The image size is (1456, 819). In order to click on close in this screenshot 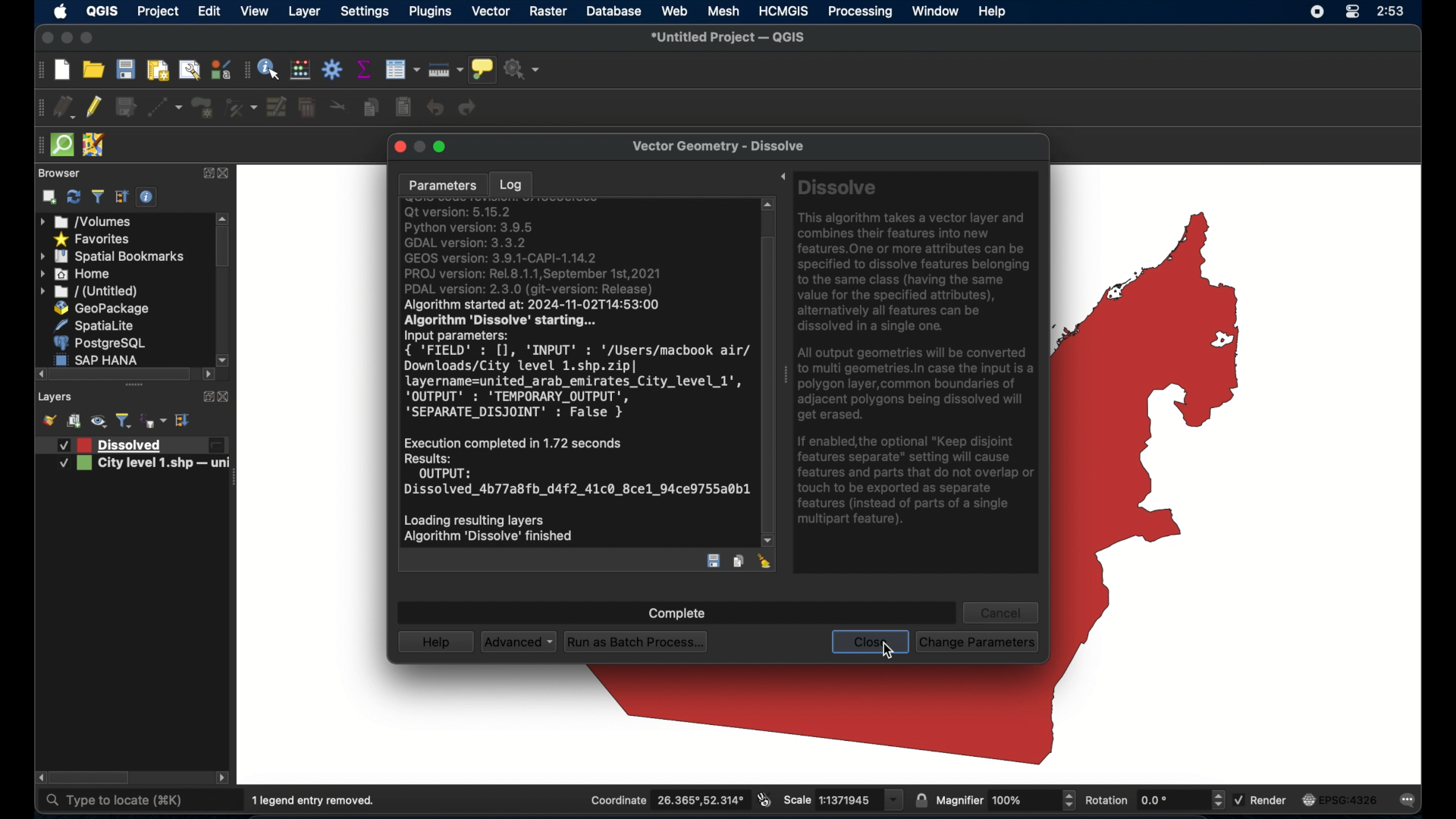, I will do `click(872, 641)`.